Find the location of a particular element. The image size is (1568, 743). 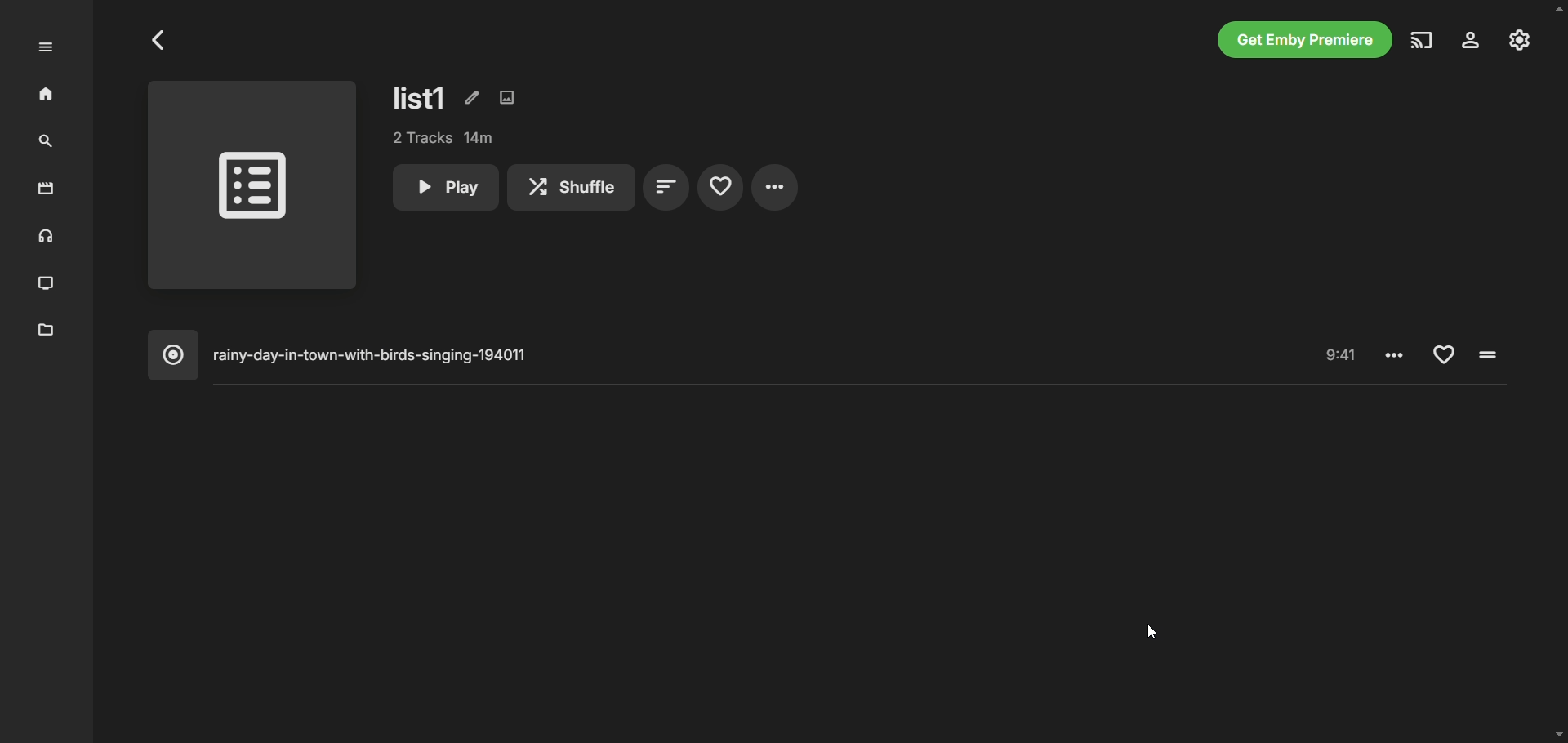

play on another device is located at coordinates (1423, 40).